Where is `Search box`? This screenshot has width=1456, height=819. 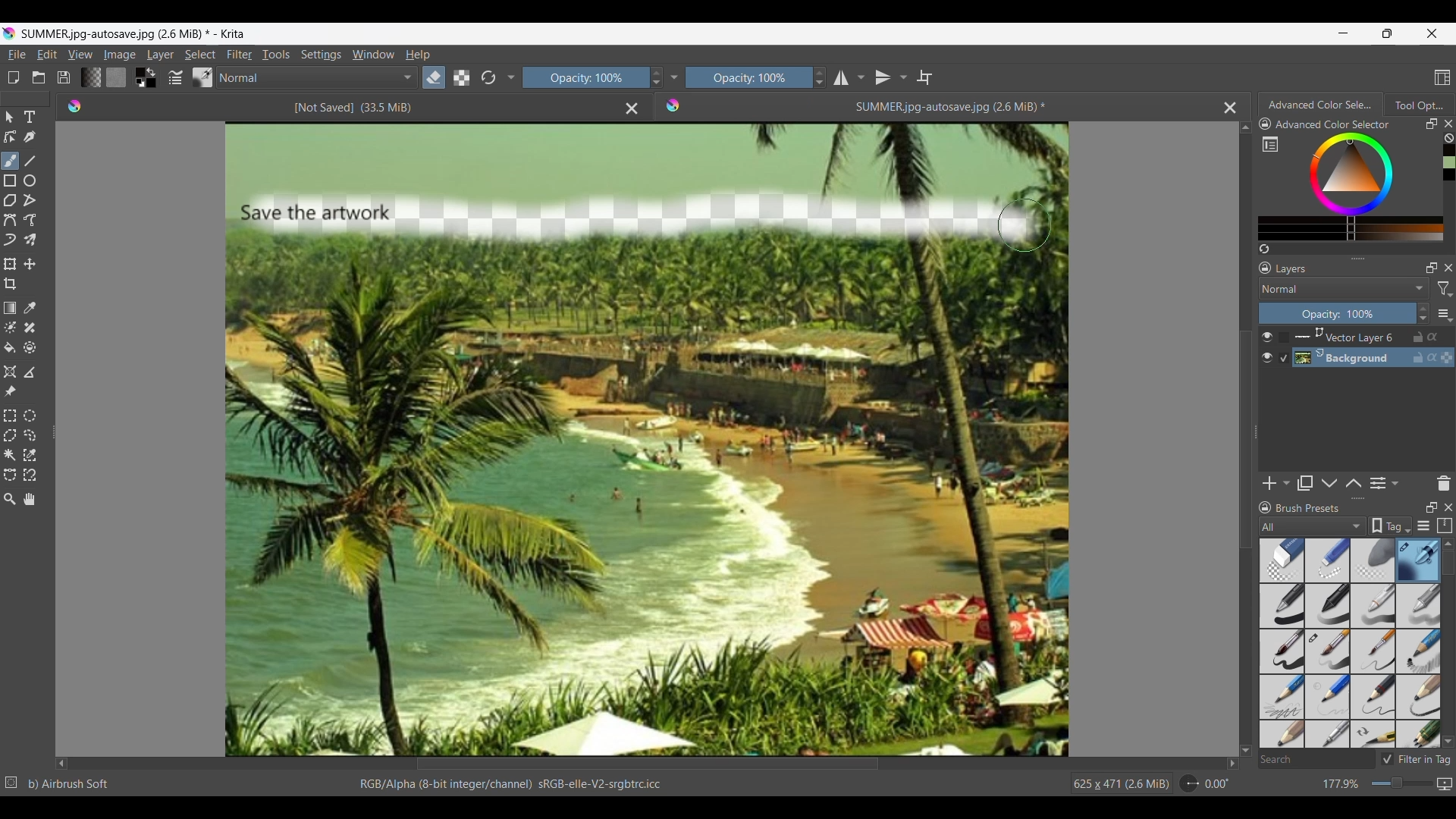 Search box is located at coordinates (1316, 759).